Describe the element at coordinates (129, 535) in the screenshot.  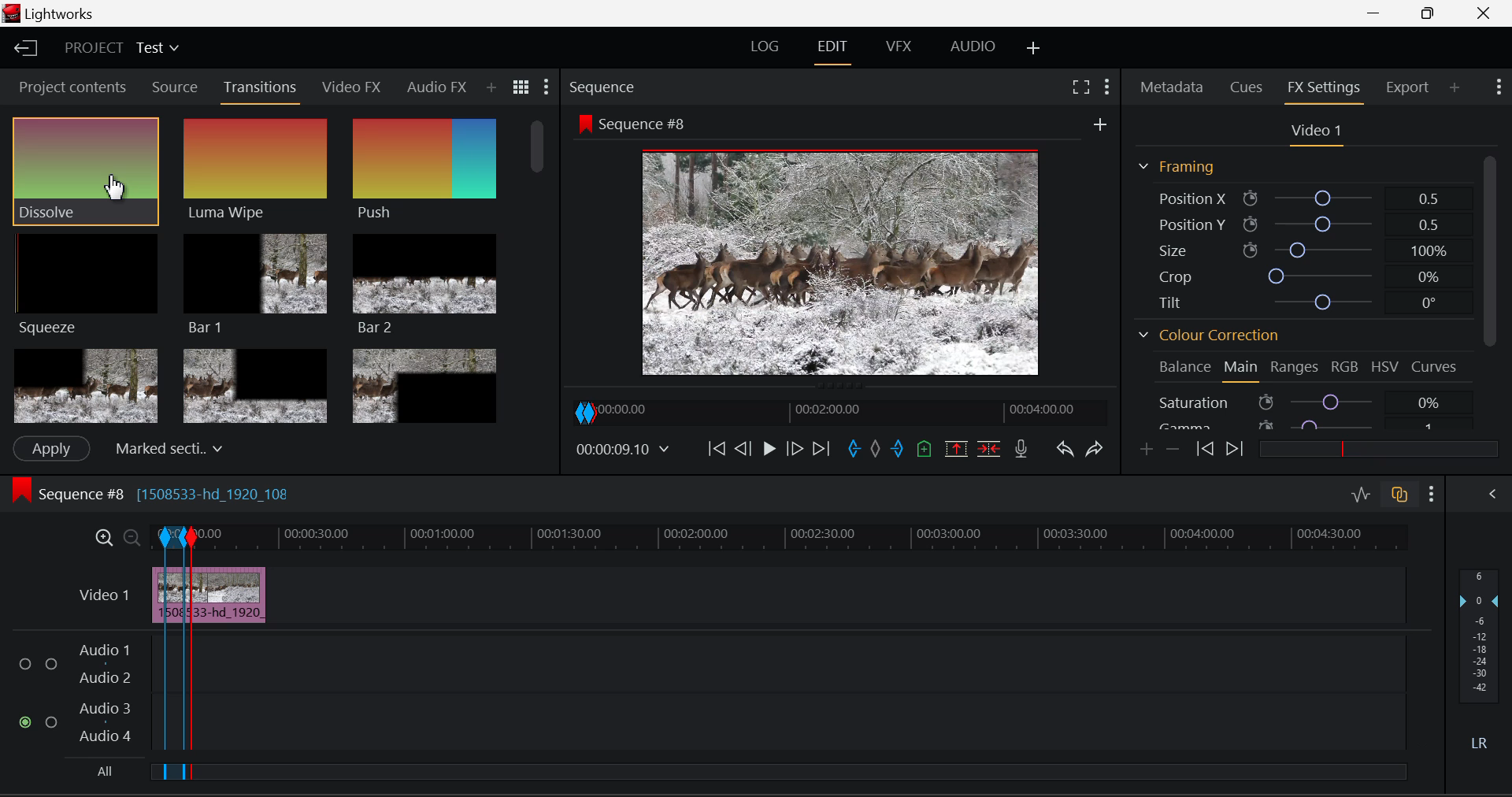
I see `Timeline Zoom Out` at that location.